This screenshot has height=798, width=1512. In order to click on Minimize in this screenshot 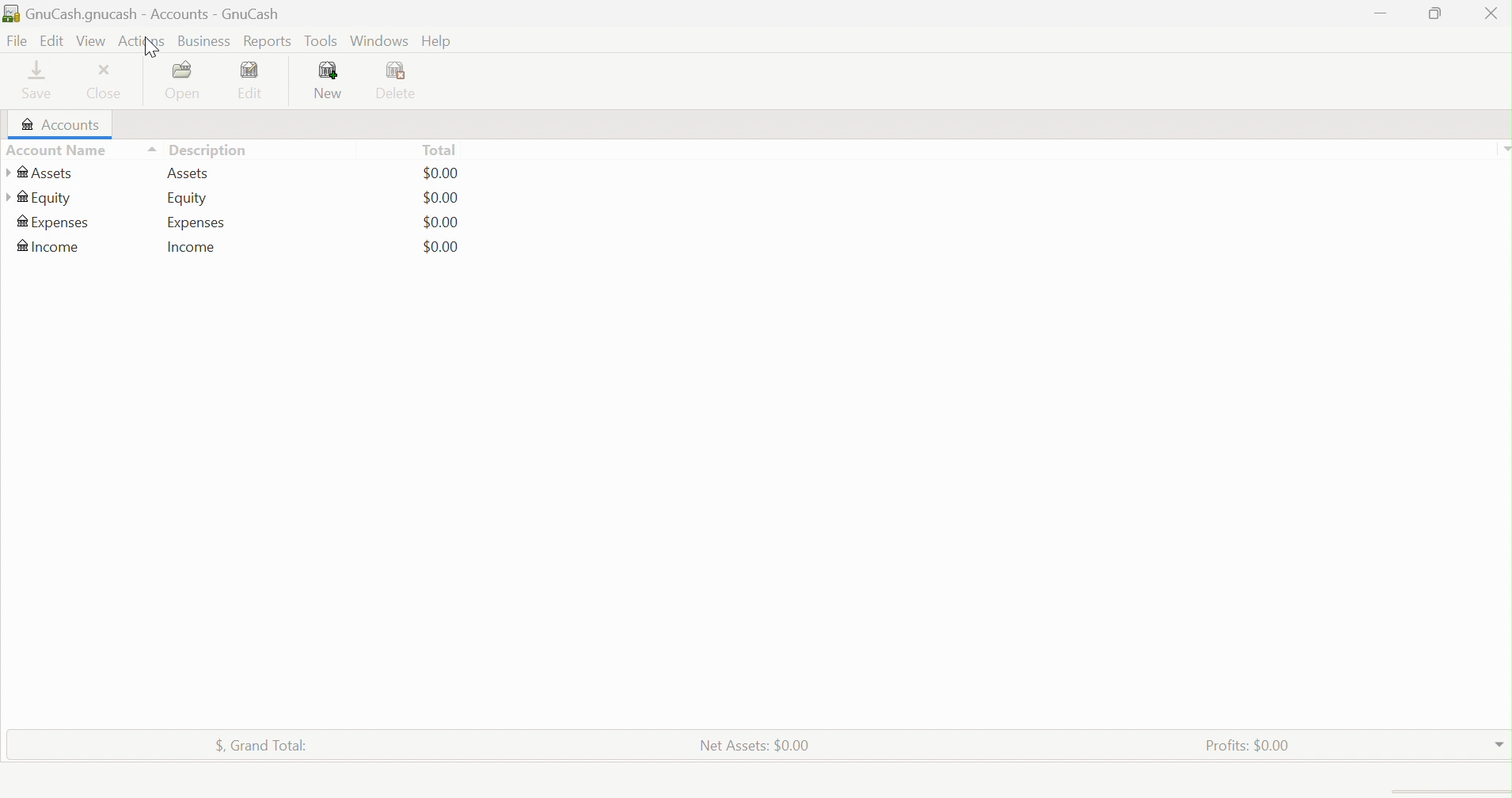, I will do `click(1382, 11)`.